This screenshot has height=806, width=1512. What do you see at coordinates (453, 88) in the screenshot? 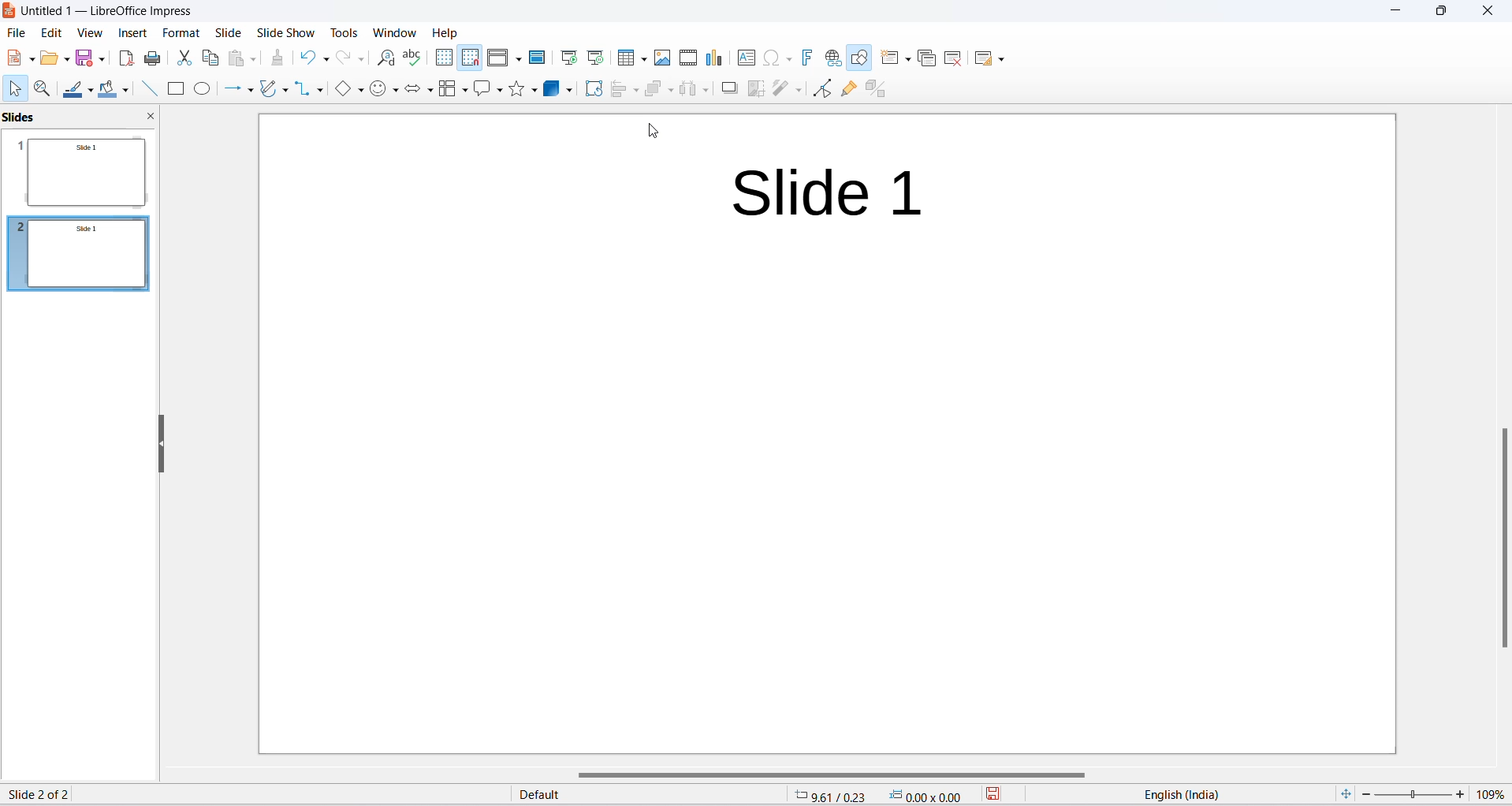
I see `Flow chart` at bounding box center [453, 88].